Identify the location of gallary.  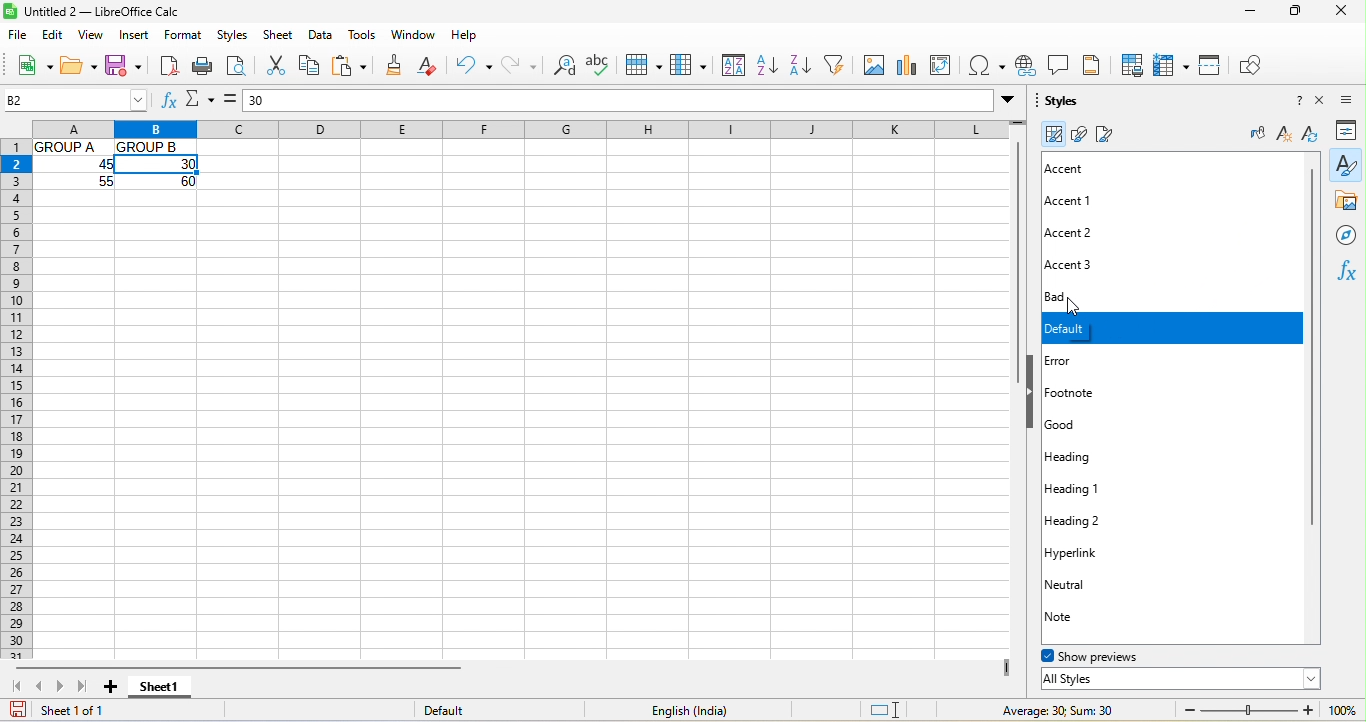
(1347, 202).